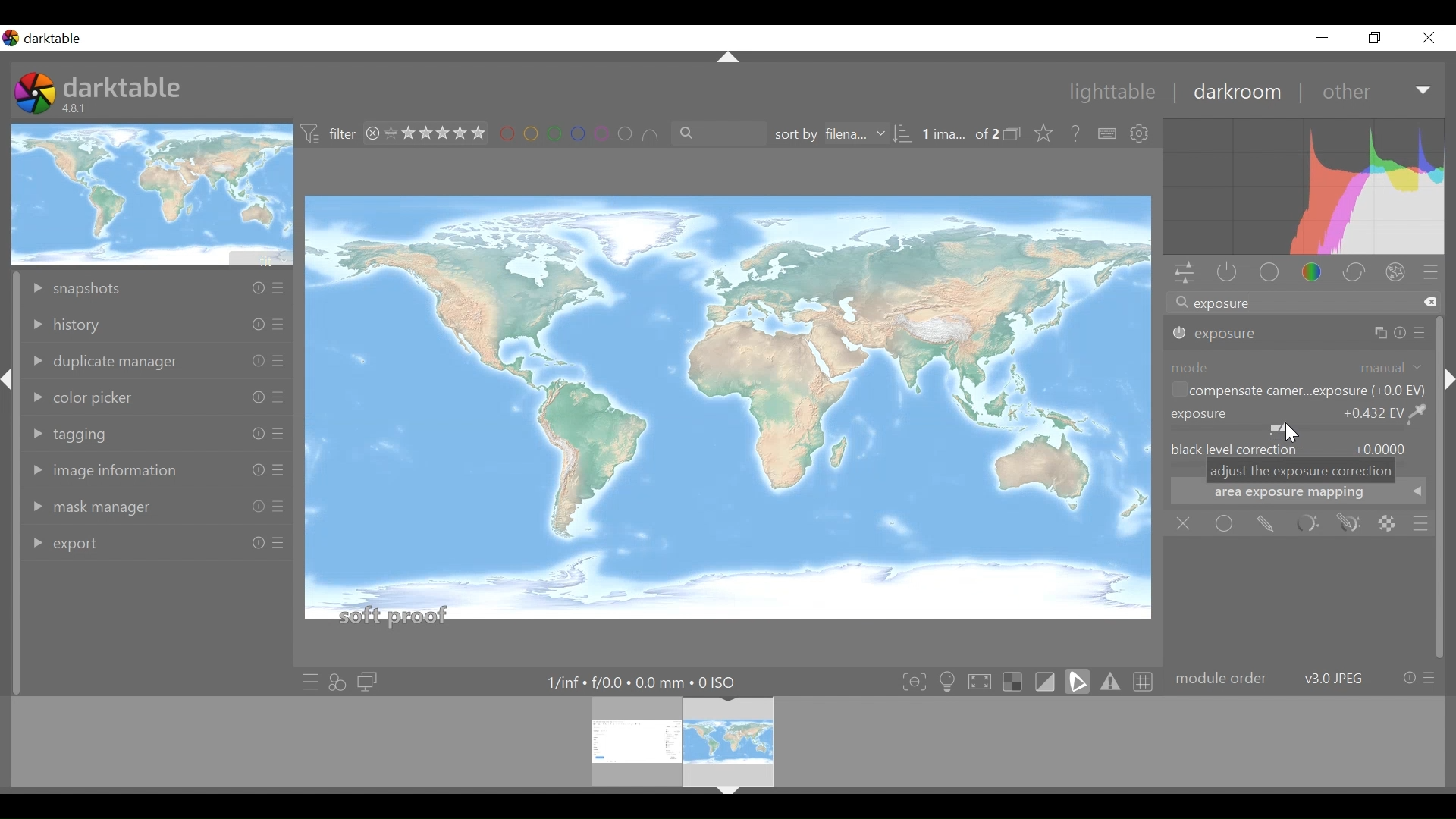 The width and height of the screenshot is (1456, 819). Describe the element at coordinates (253, 544) in the screenshot. I see `` at that location.